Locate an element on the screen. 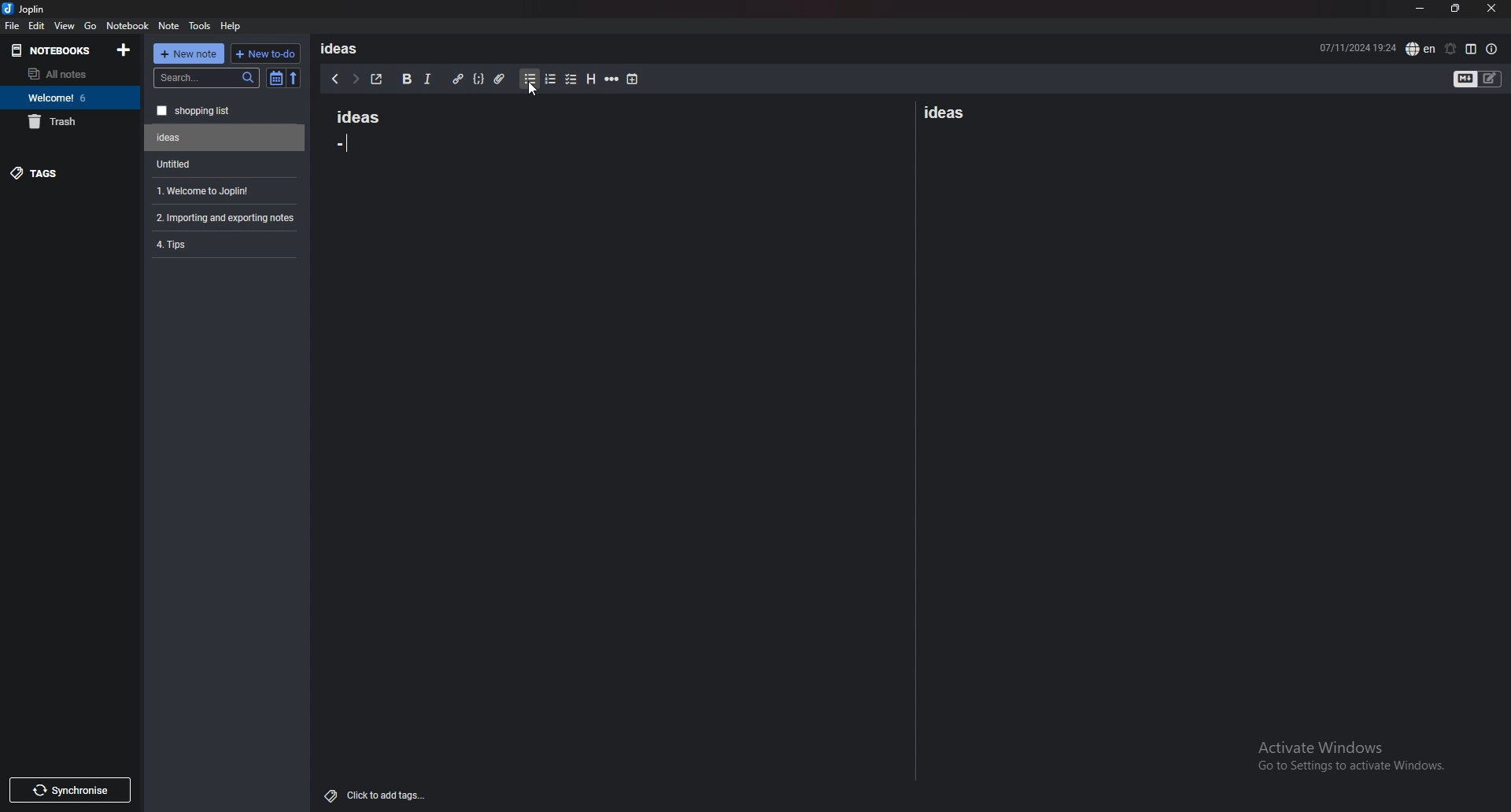  heading is located at coordinates (589, 79).